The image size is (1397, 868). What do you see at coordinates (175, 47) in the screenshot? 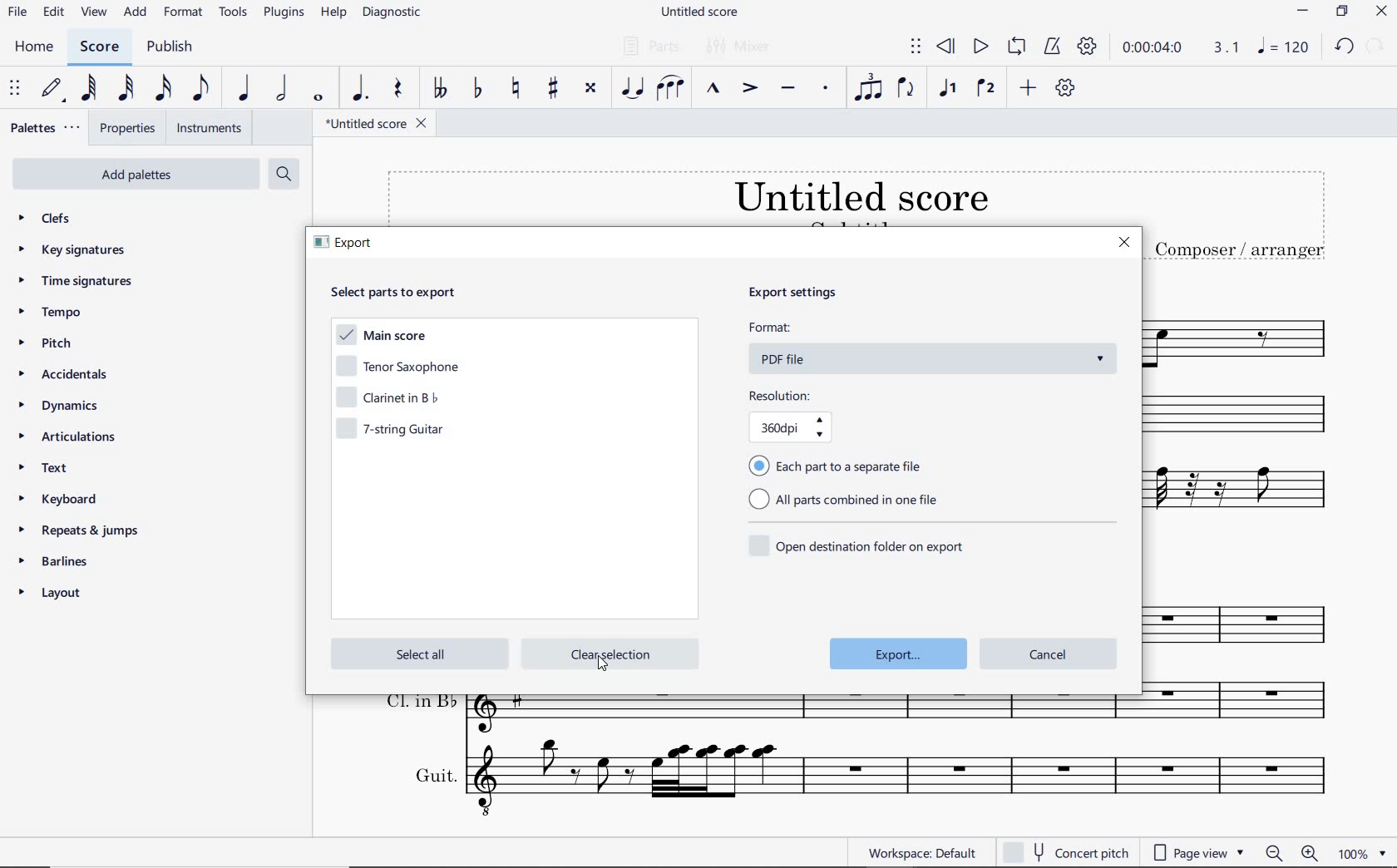
I see `PUBLISH` at bounding box center [175, 47].